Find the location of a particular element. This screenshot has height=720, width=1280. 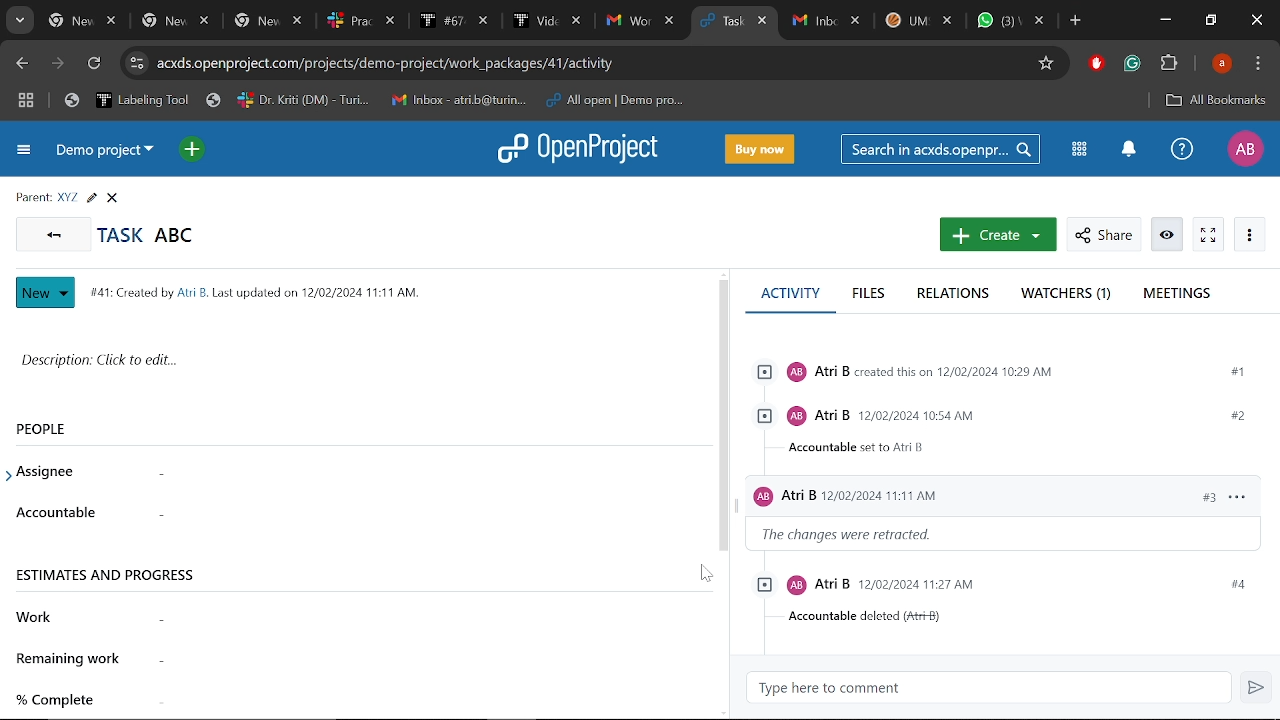

Profile is located at coordinates (1222, 65).